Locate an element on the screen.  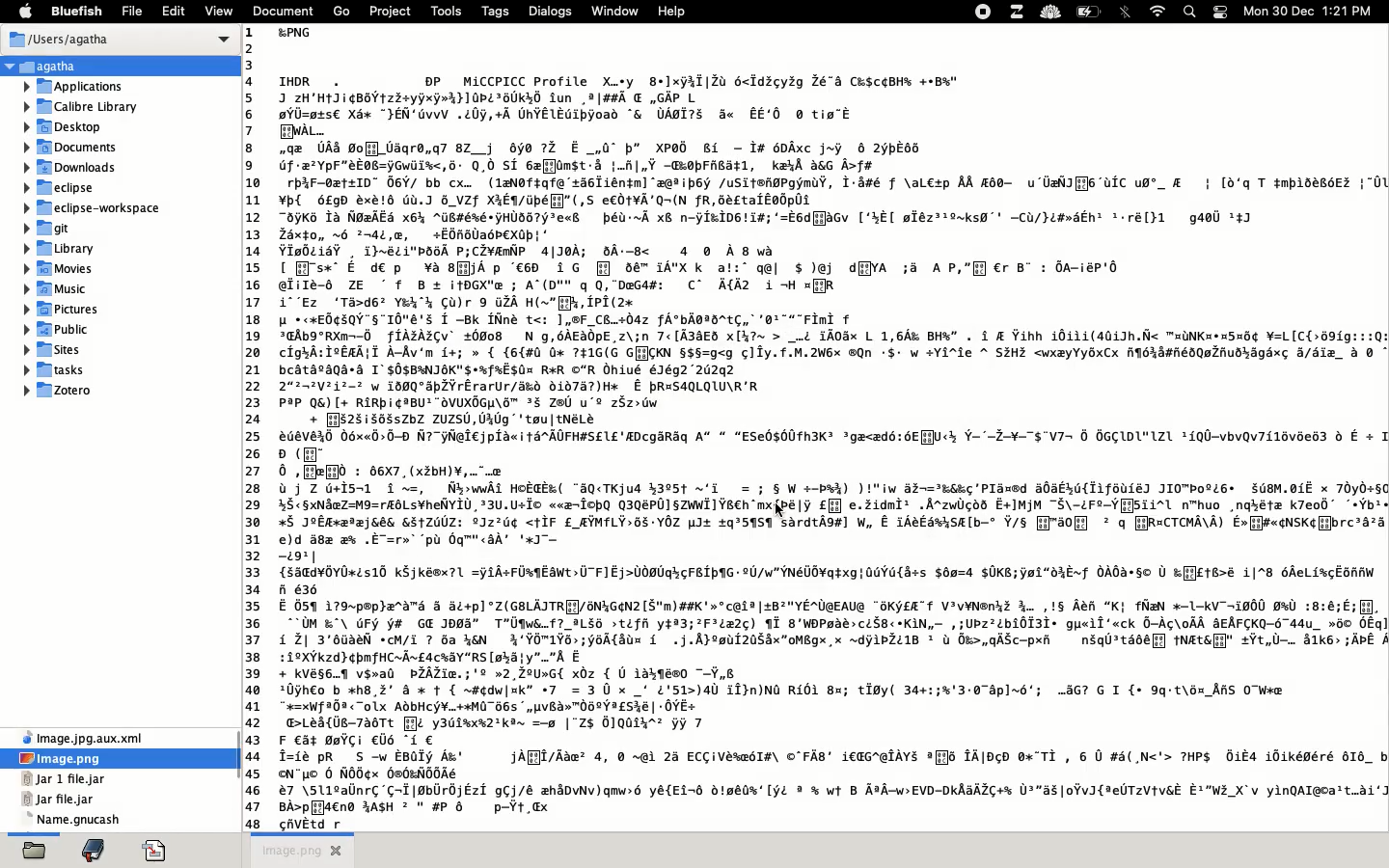
tags is located at coordinates (499, 13).